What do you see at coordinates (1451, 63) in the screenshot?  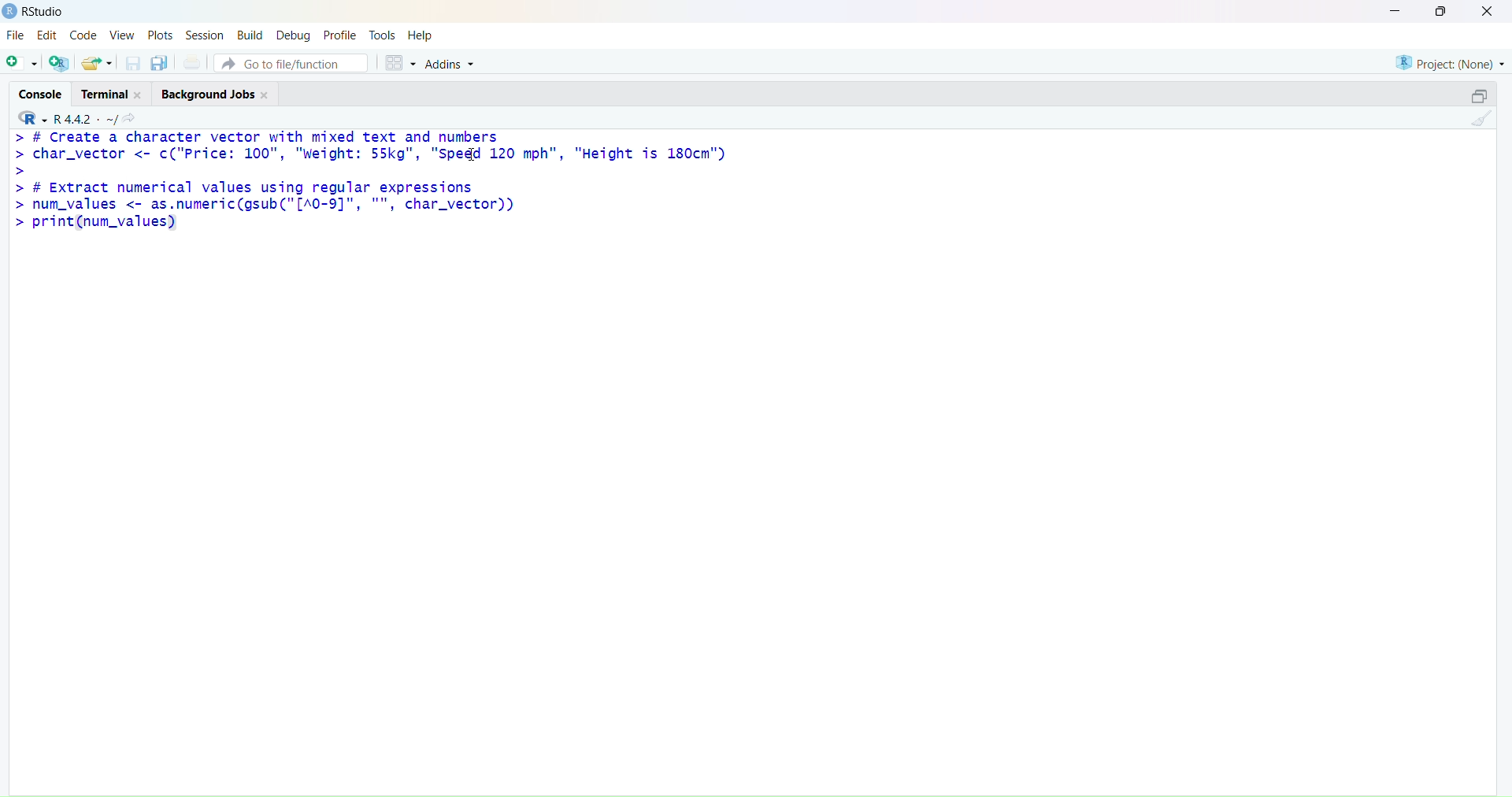 I see `project (none)` at bounding box center [1451, 63].